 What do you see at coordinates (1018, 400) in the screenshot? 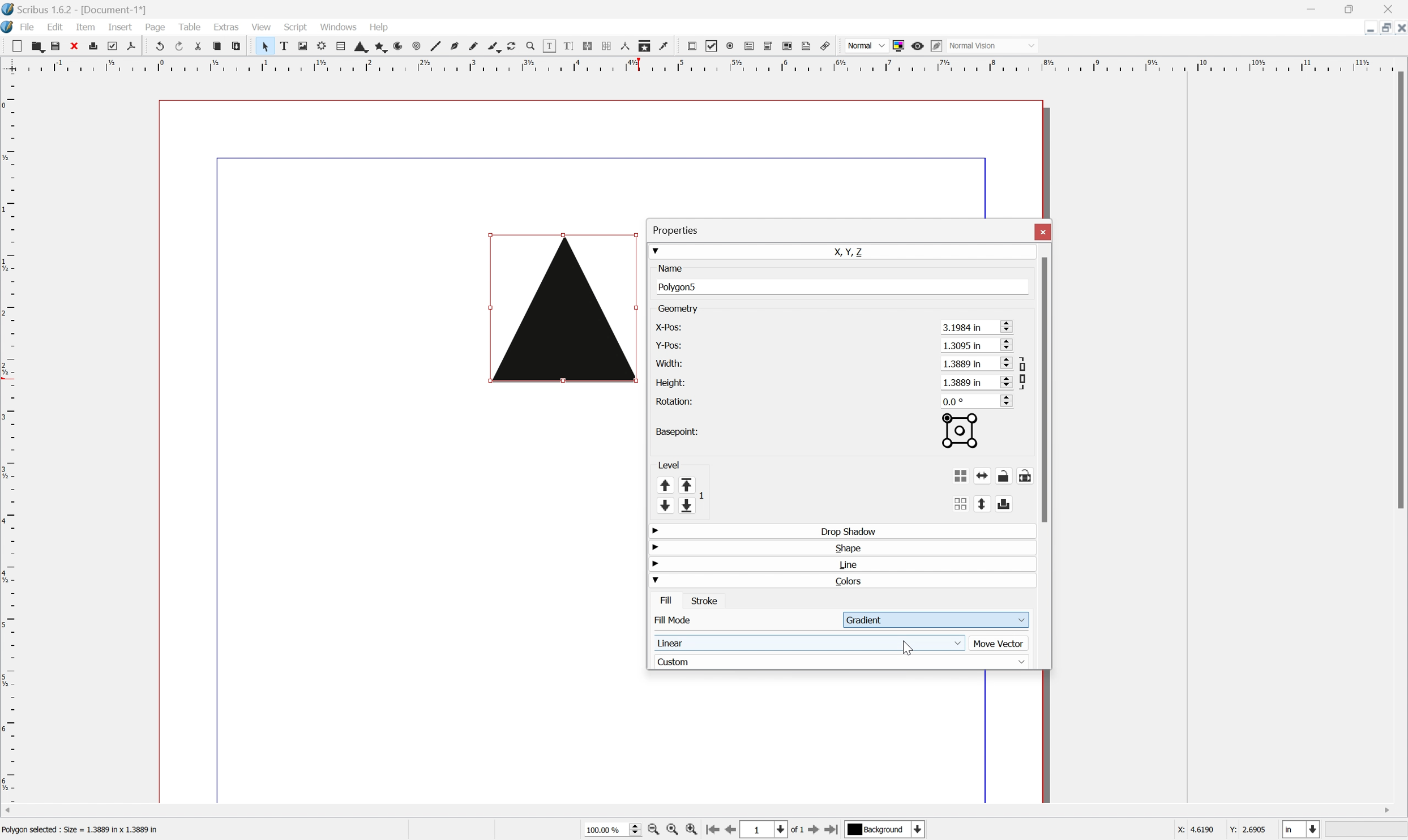
I see `Scroll` at bounding box center [1018, 400].